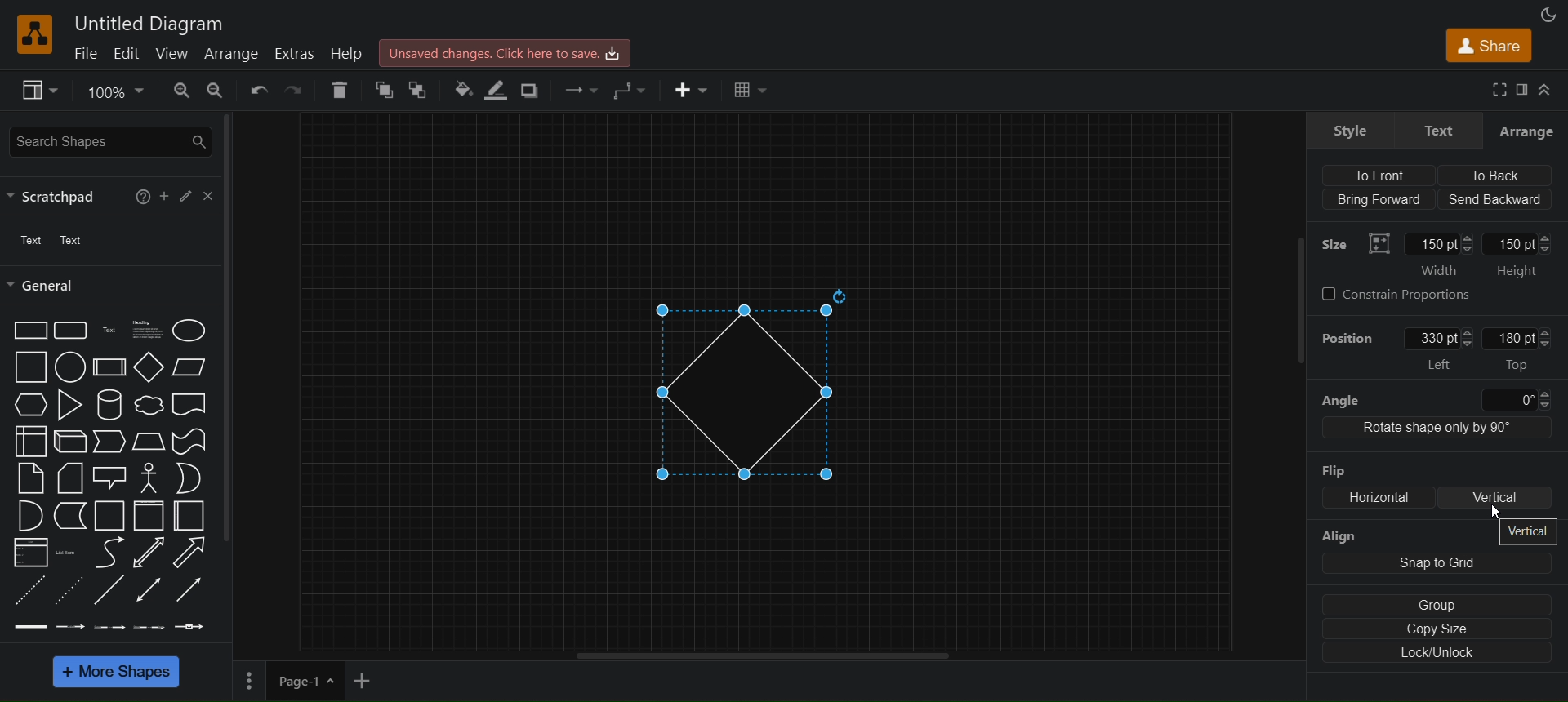 The width and height of the screenshot is (1568, 702). Describe the element at coordinates (106, 515) in the screenshot. I see `container` at that location.